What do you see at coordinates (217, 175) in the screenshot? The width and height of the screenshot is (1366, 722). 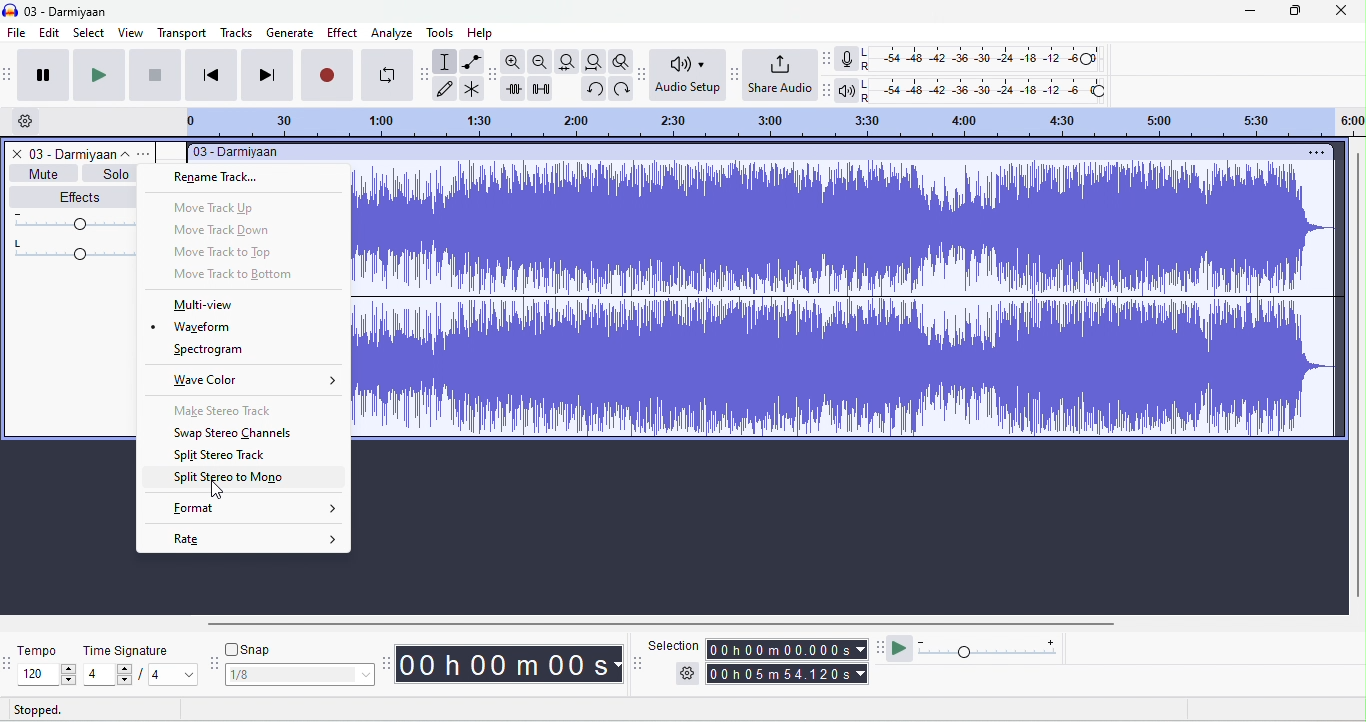 I see `rename track` at bounding box center [217, 175].